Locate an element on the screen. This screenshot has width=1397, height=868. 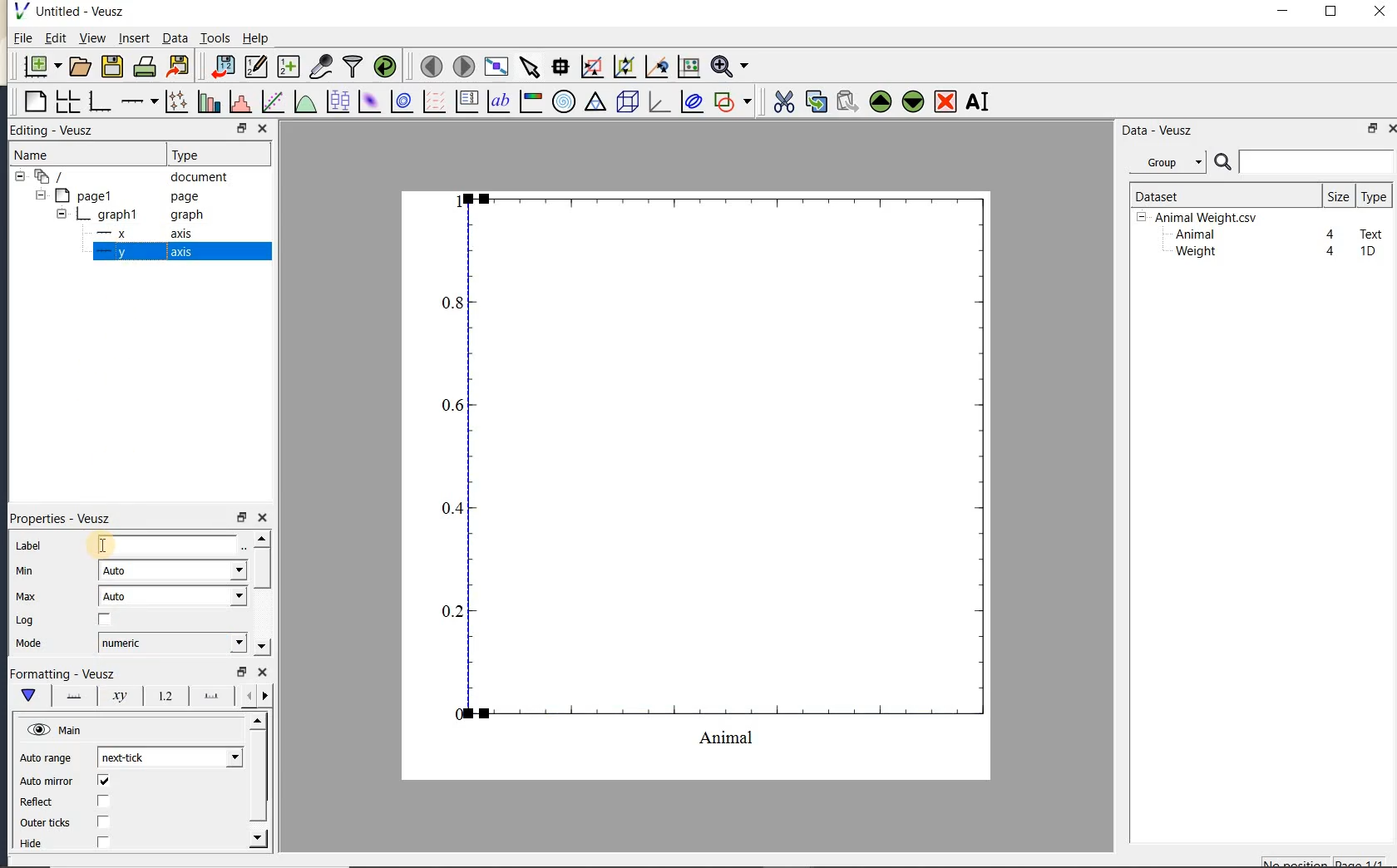
save the document is located at coordinates (111, 67).